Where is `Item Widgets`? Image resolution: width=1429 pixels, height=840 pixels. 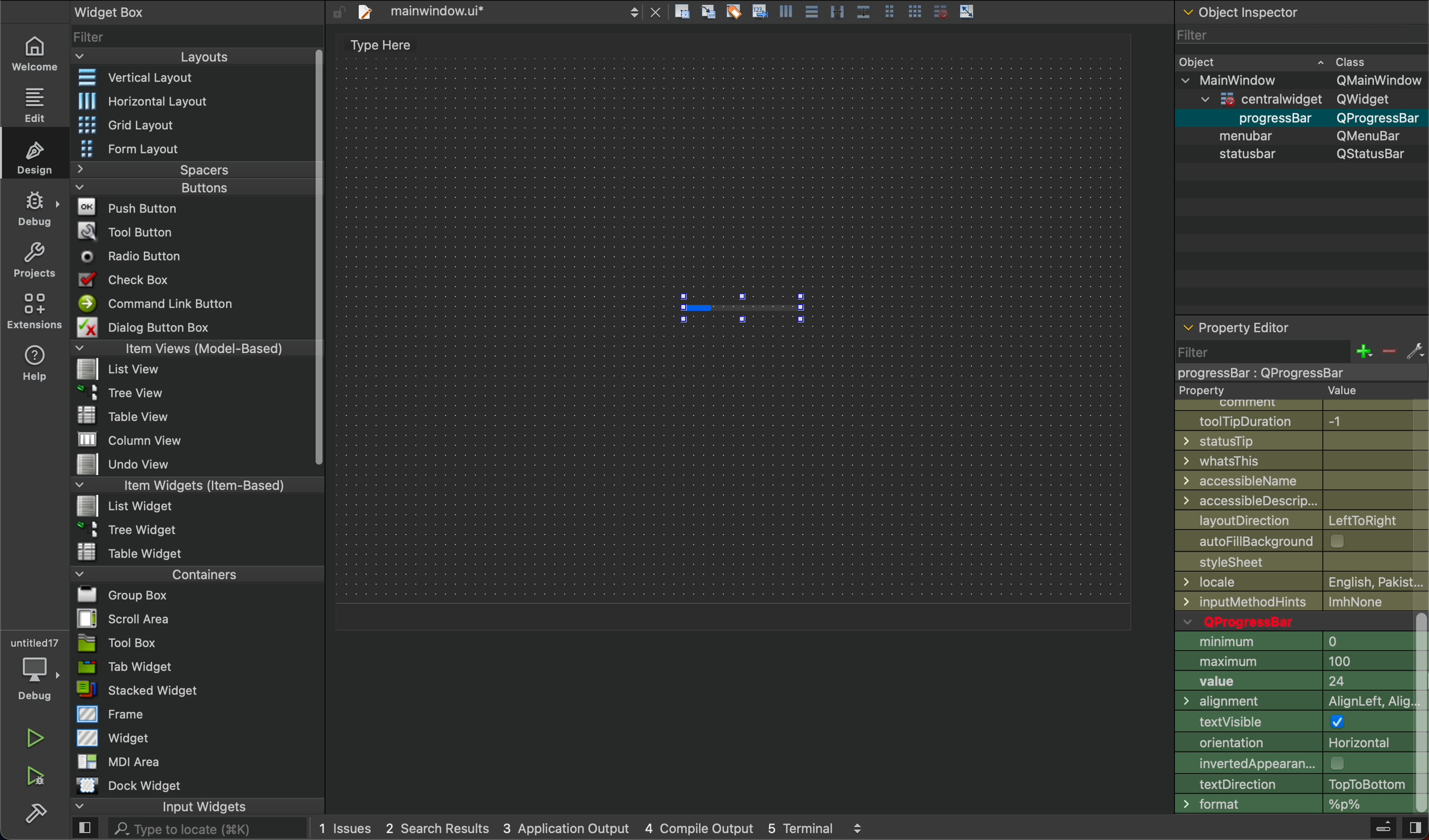
Item Widgets is located at coordinates (179, 484).